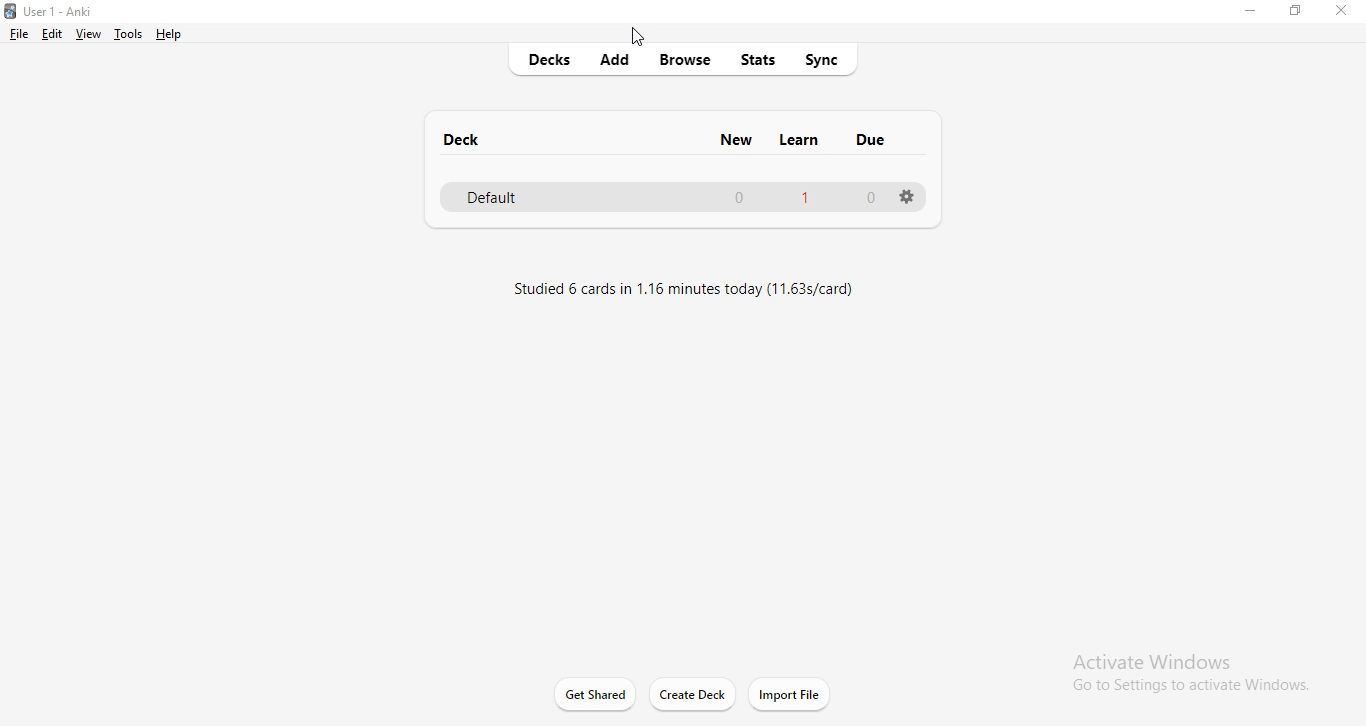  Describe the element at coordinates (791, 694) in the screenshot. I see `import files` at that location.